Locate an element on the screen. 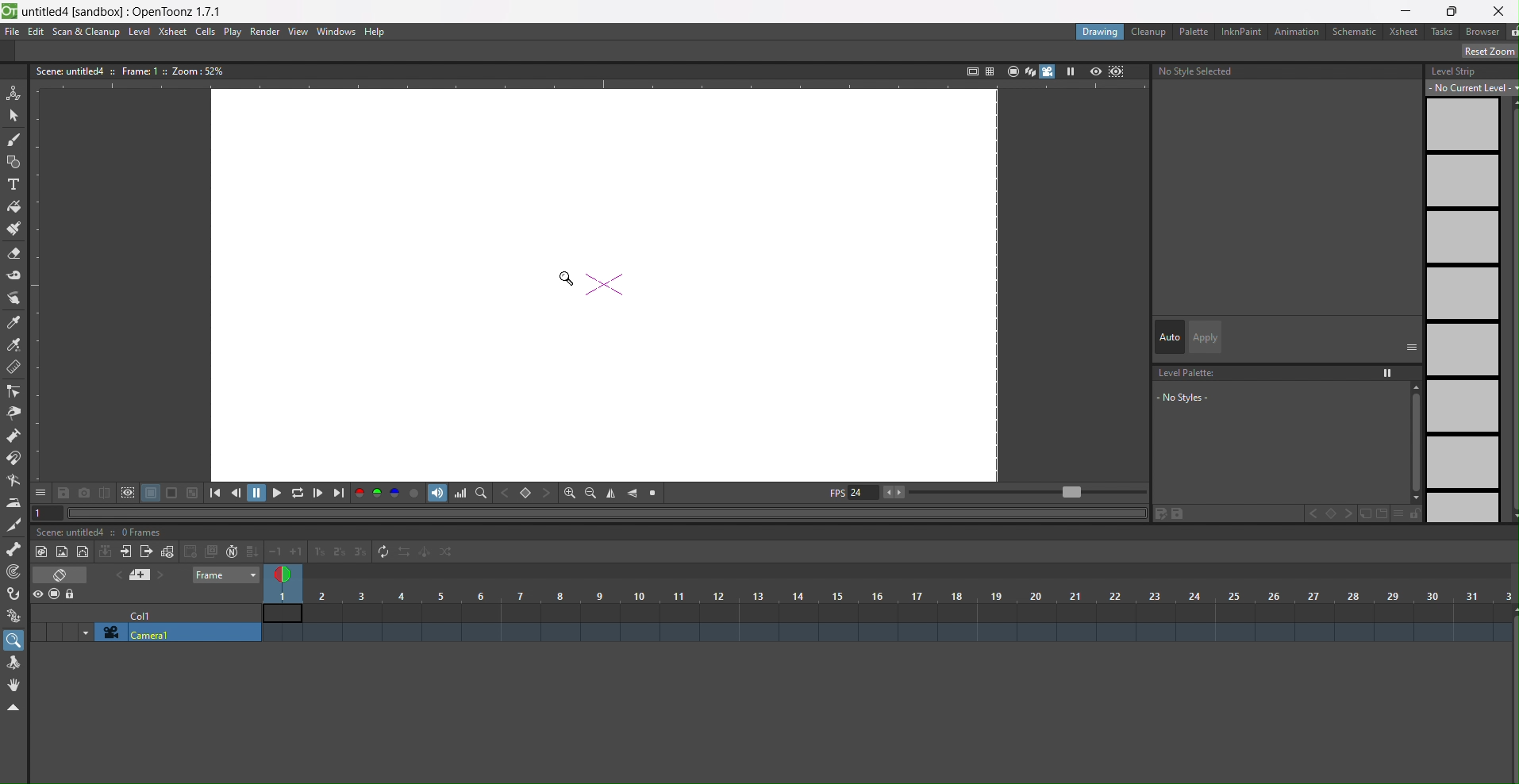 The image size is (1519, 784).  is located at coordinates (14, 662).